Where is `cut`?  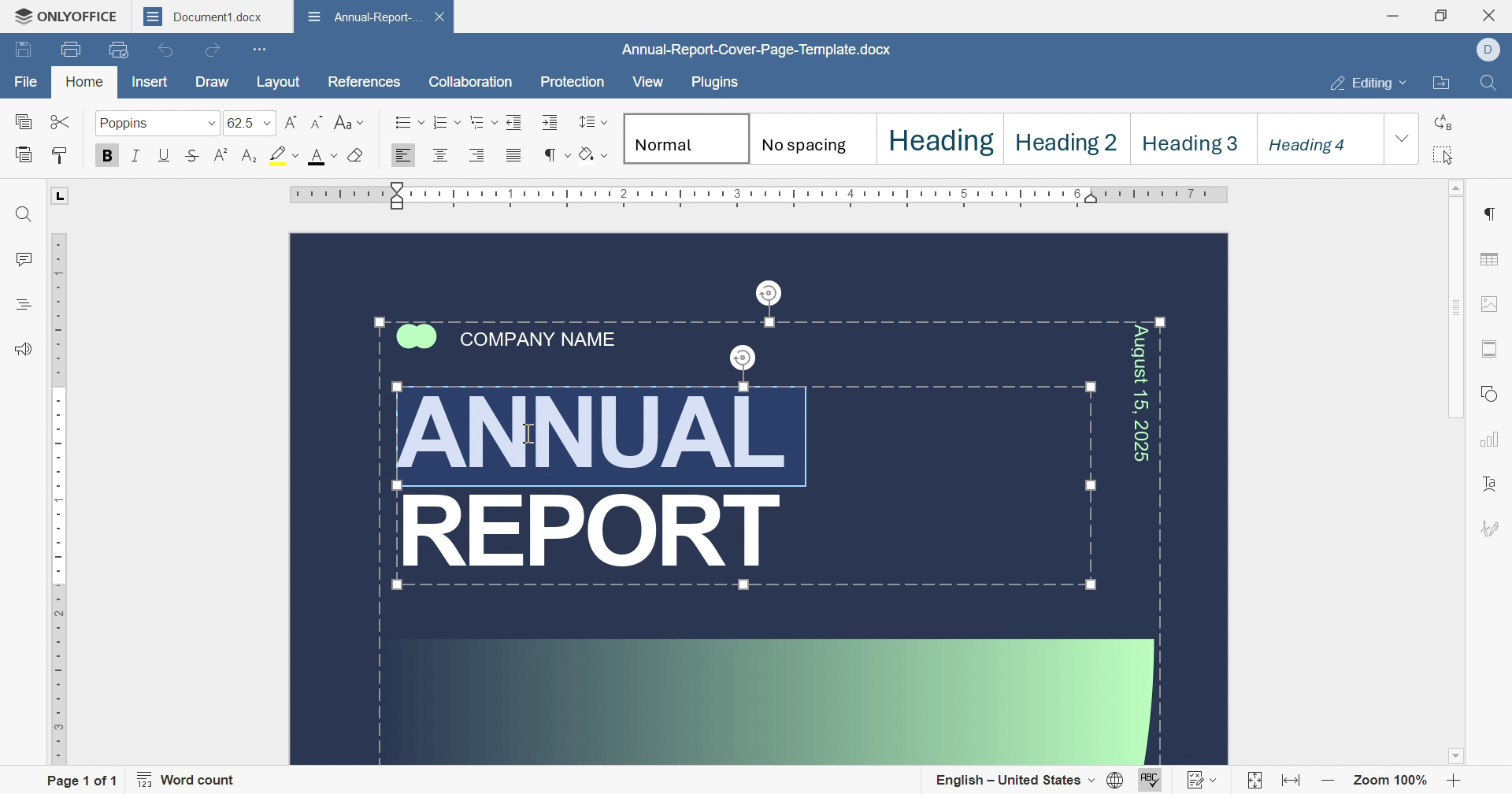
cut is located at coordinates (62, 123).